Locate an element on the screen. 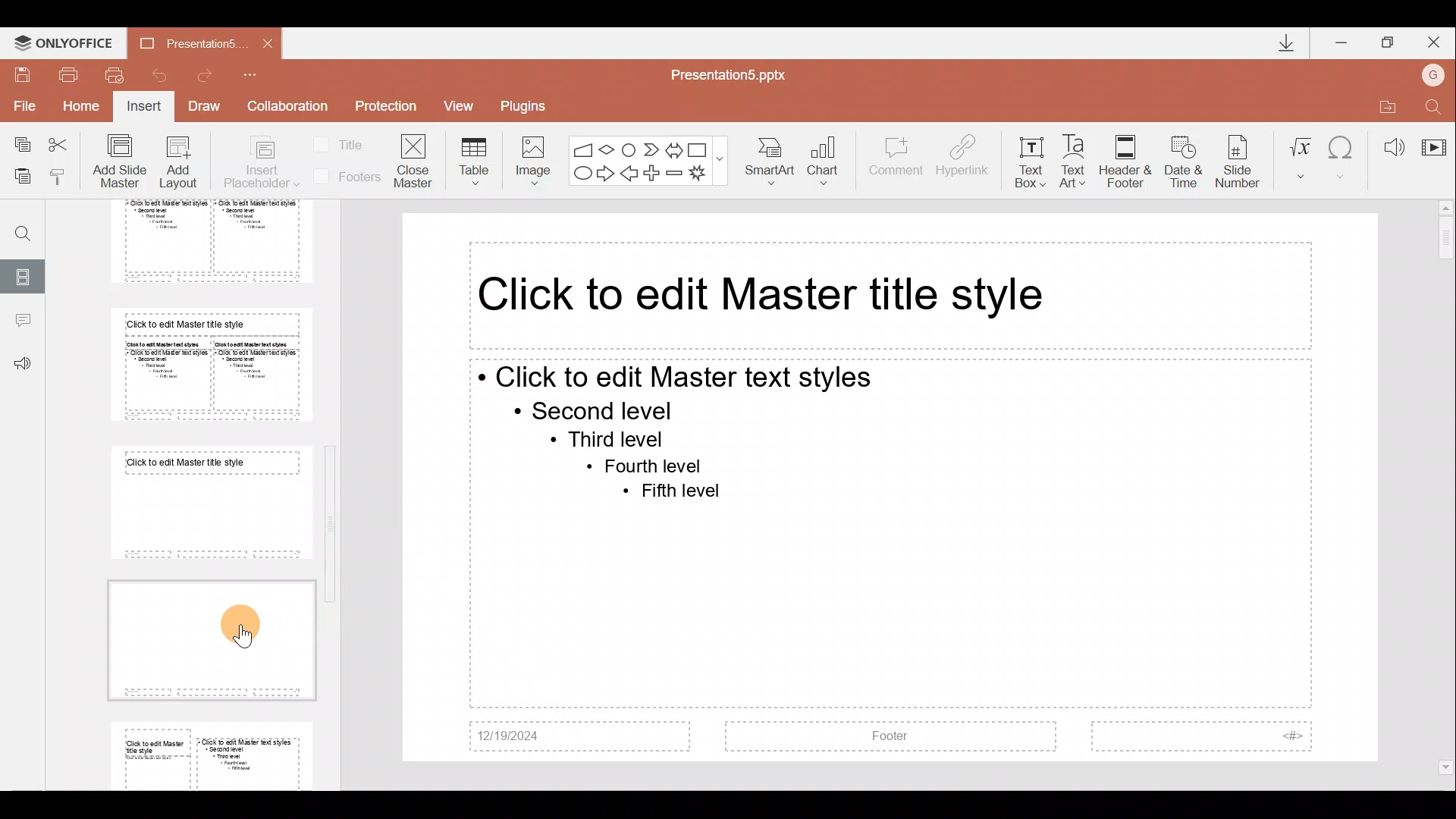 This screenshot has width=1456, height=819. Header & footer is located at coordinates (1125, 161).